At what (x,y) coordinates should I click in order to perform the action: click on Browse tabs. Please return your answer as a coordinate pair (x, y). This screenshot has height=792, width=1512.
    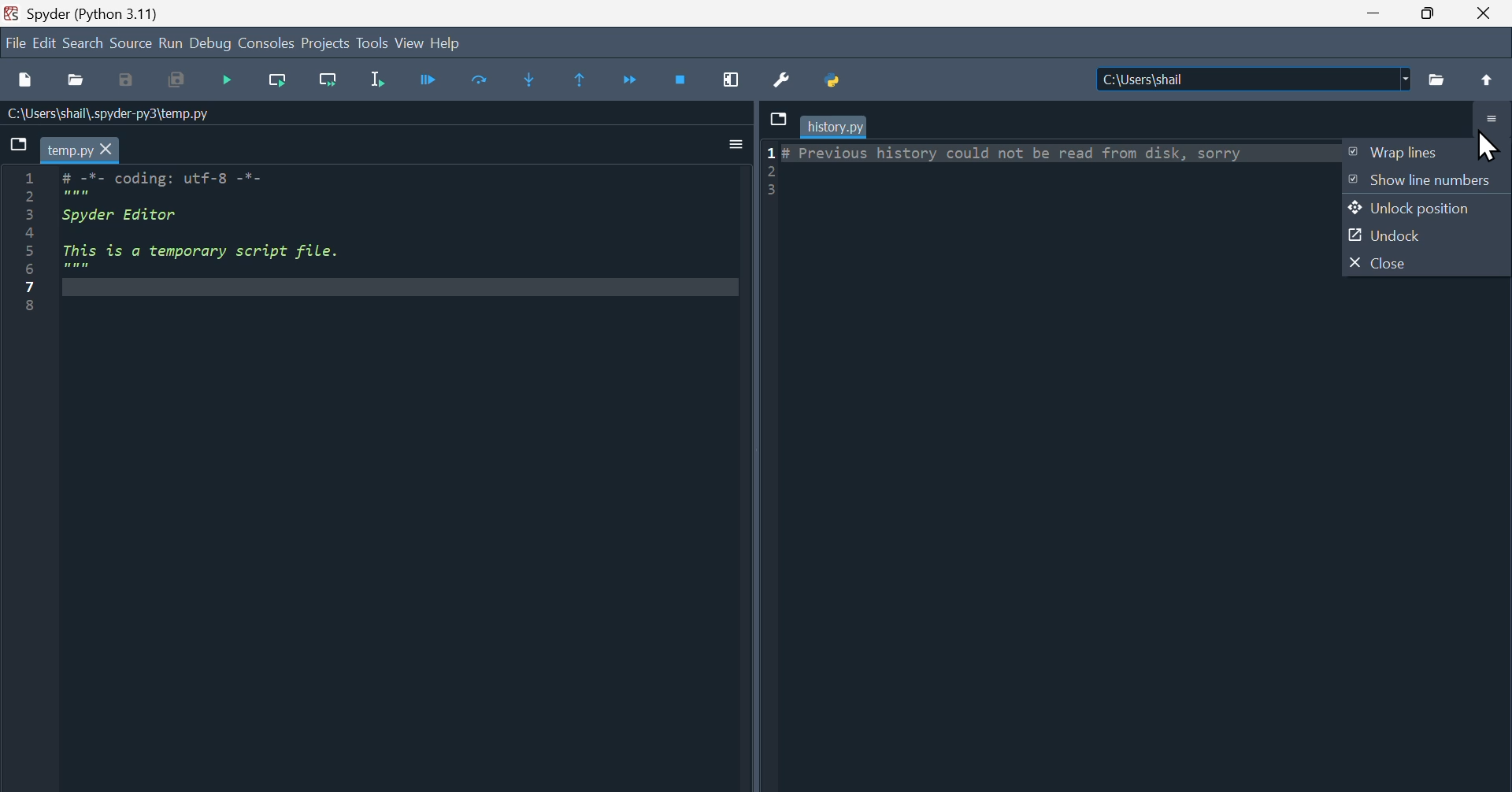
    Looking at the image, I should click on (776, 120).